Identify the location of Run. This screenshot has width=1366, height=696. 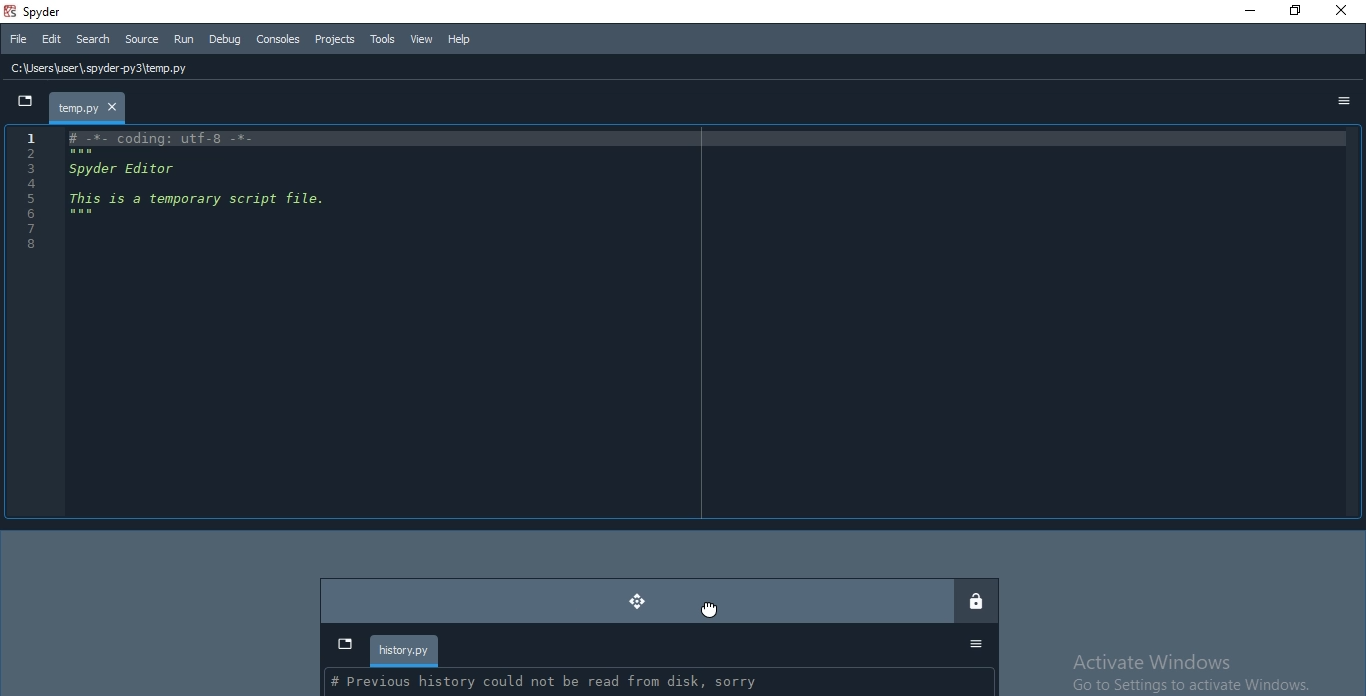
(184, 38).